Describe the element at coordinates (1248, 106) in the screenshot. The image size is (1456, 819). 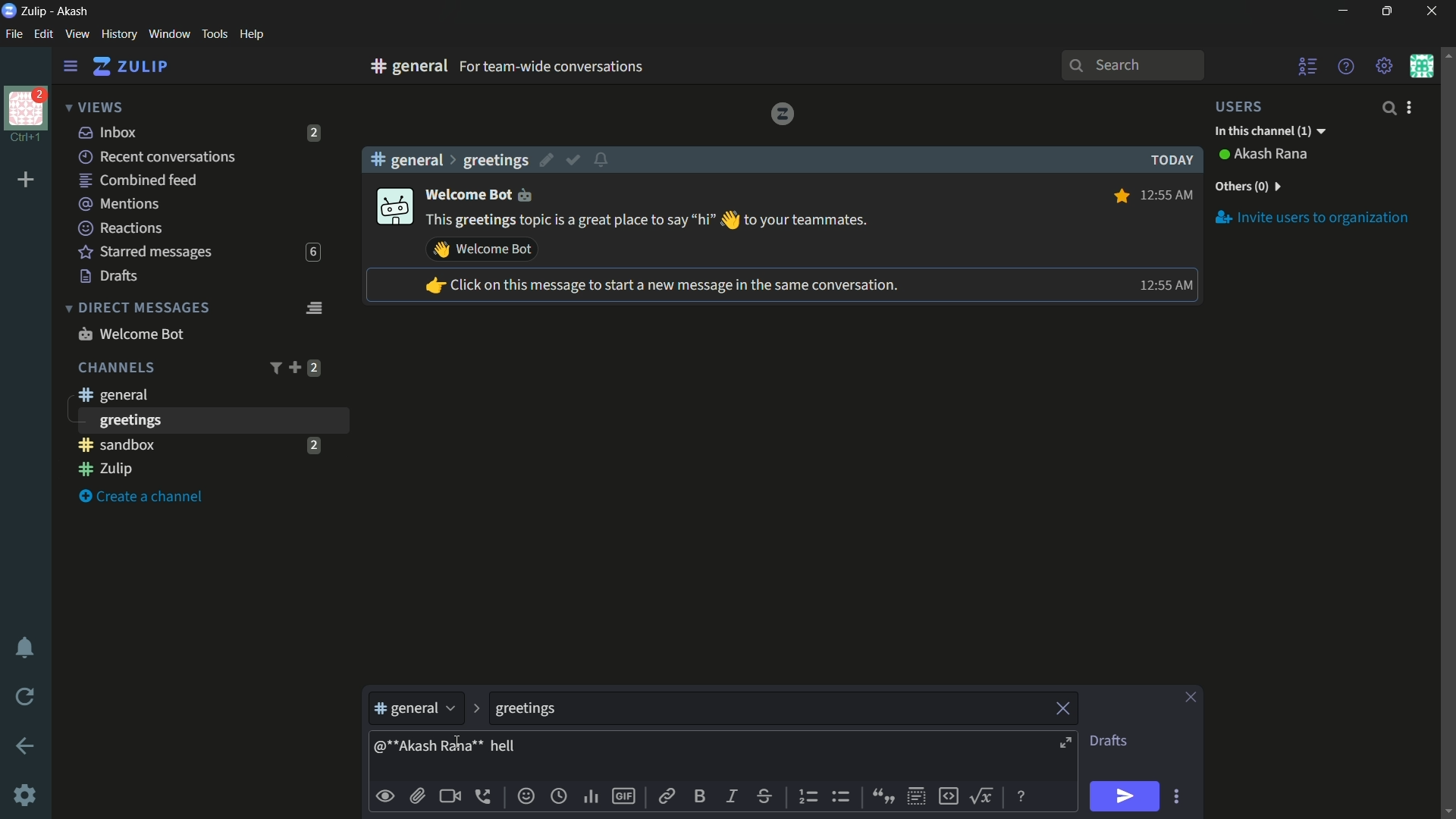
I see `users` at that location.